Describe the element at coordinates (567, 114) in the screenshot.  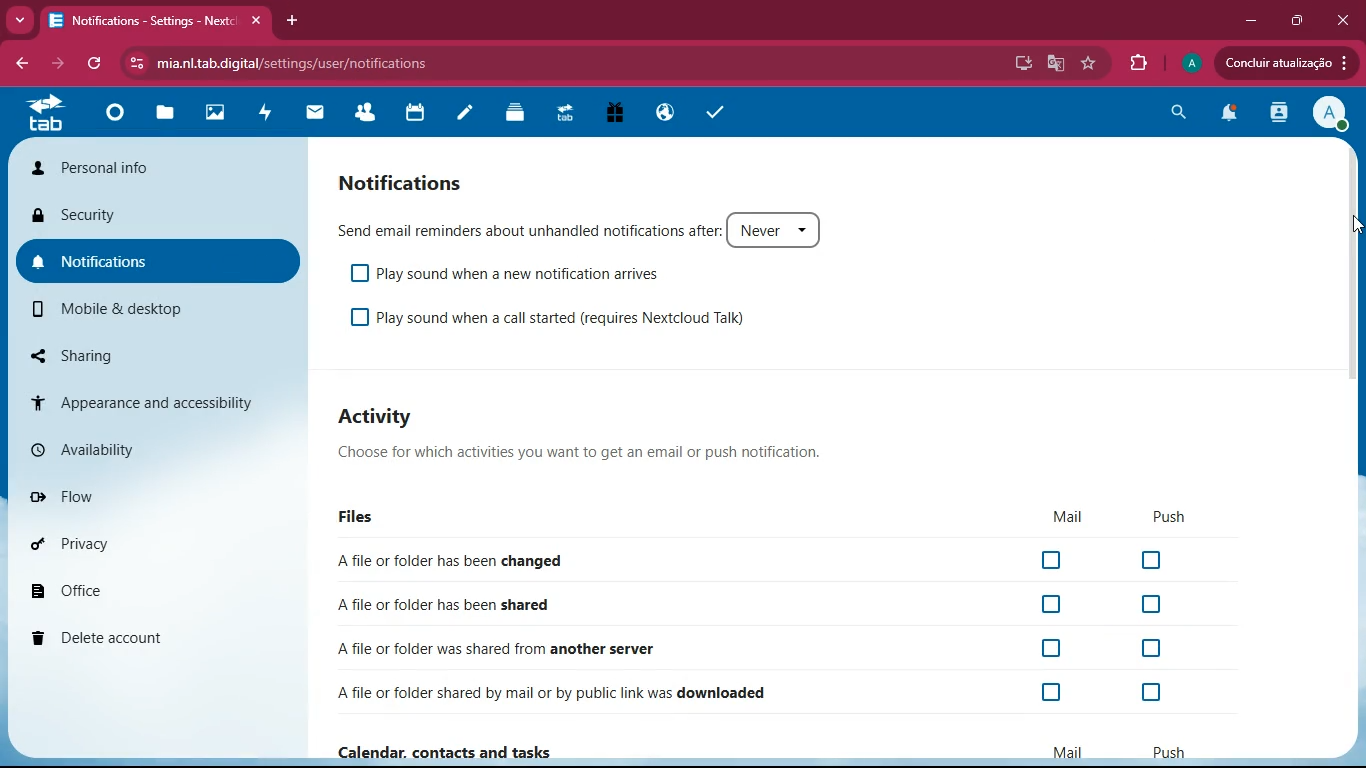
I see `tab` at that location.